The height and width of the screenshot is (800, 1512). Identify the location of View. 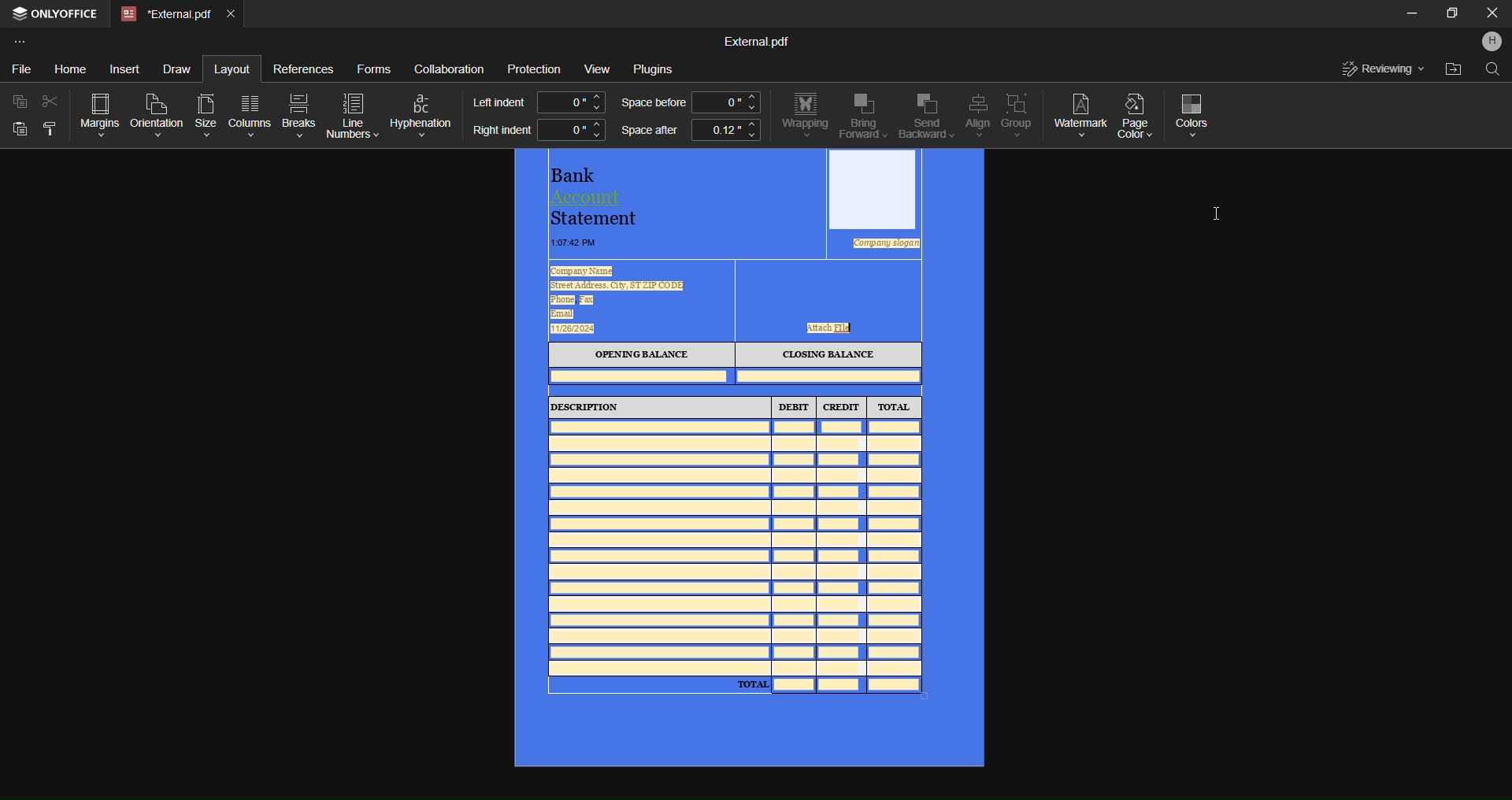
(596, 68).